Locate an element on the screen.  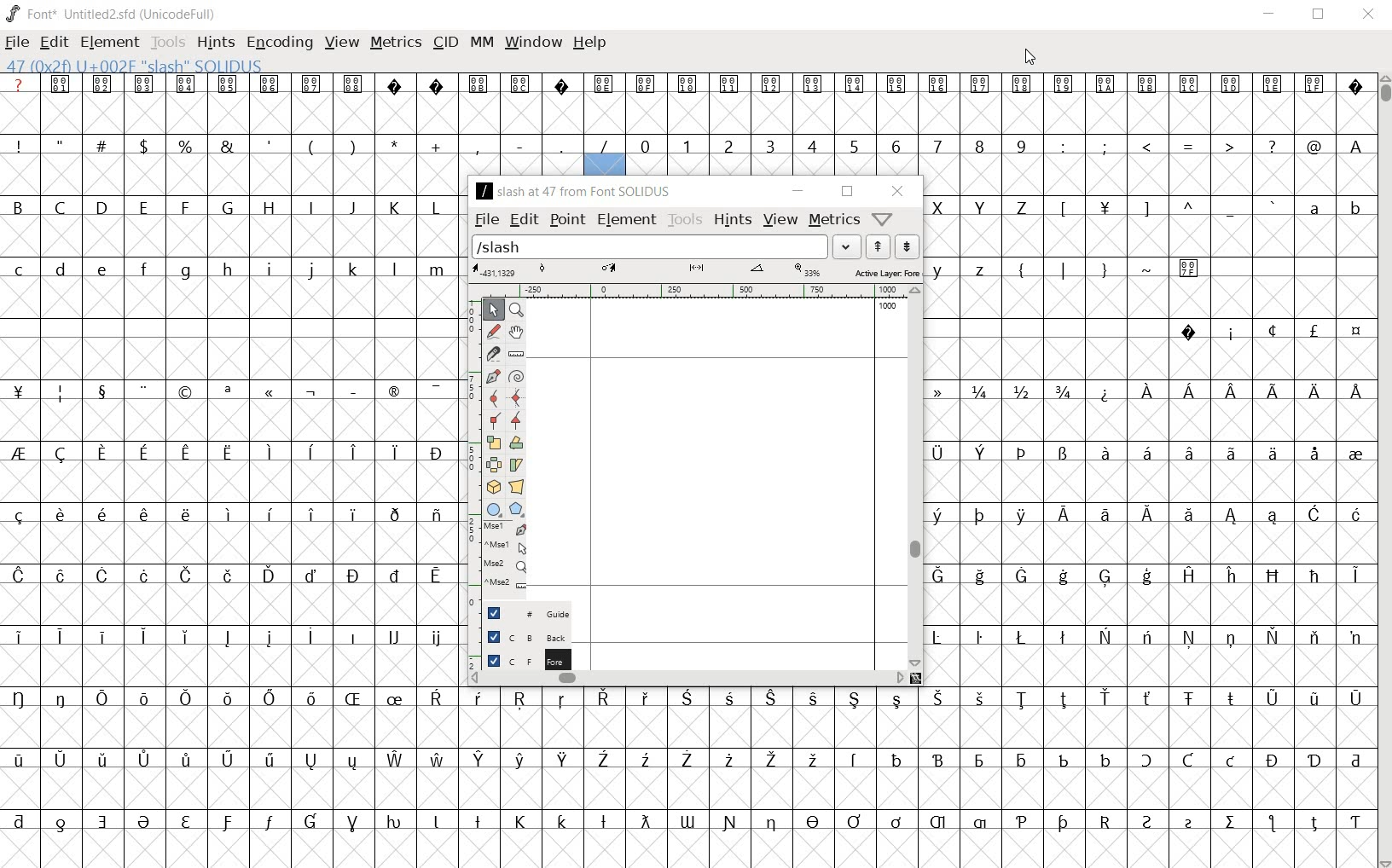
symbols is located at coordinates (316, 144).